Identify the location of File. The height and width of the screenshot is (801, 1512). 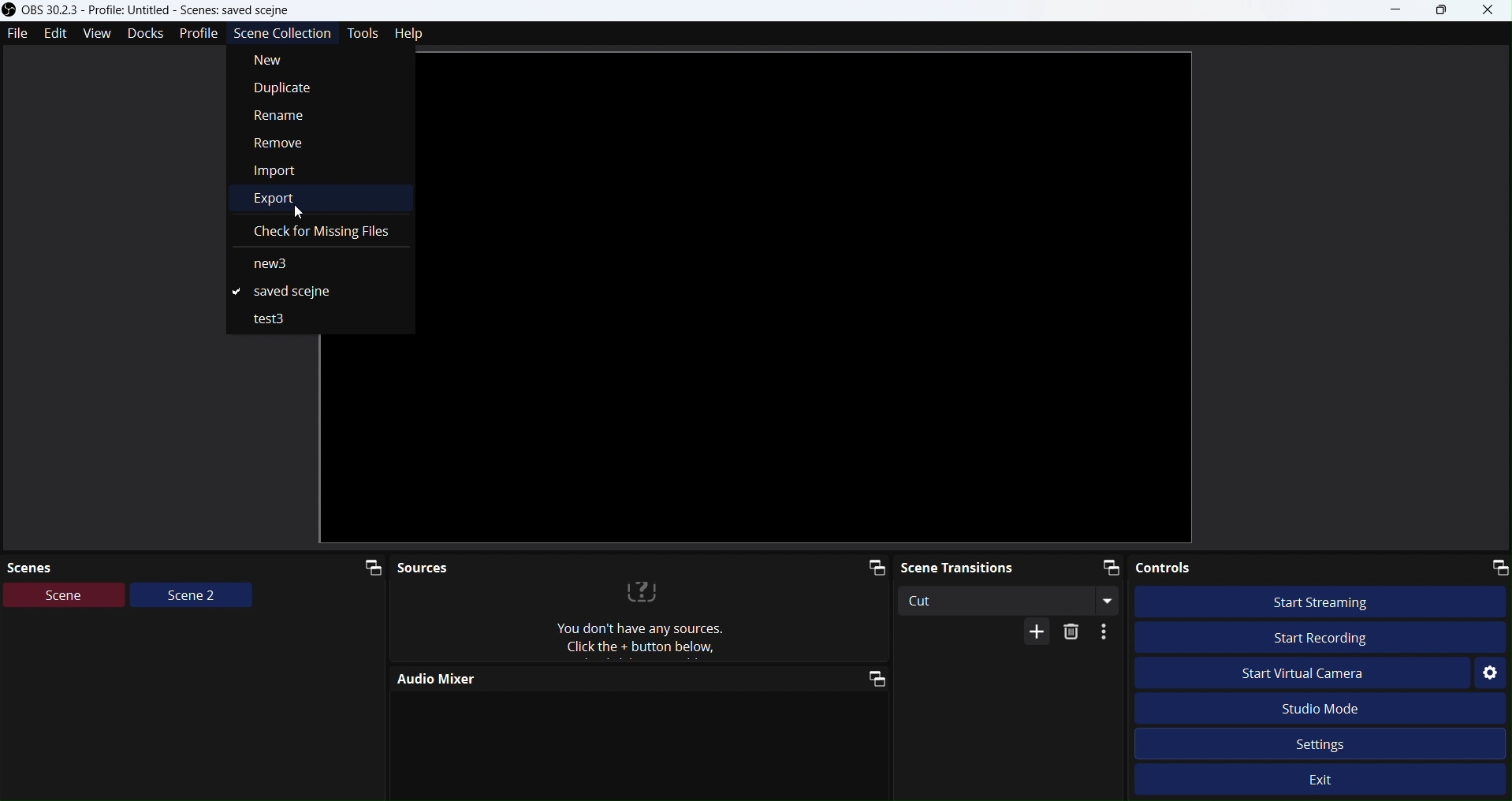
(17, 34).